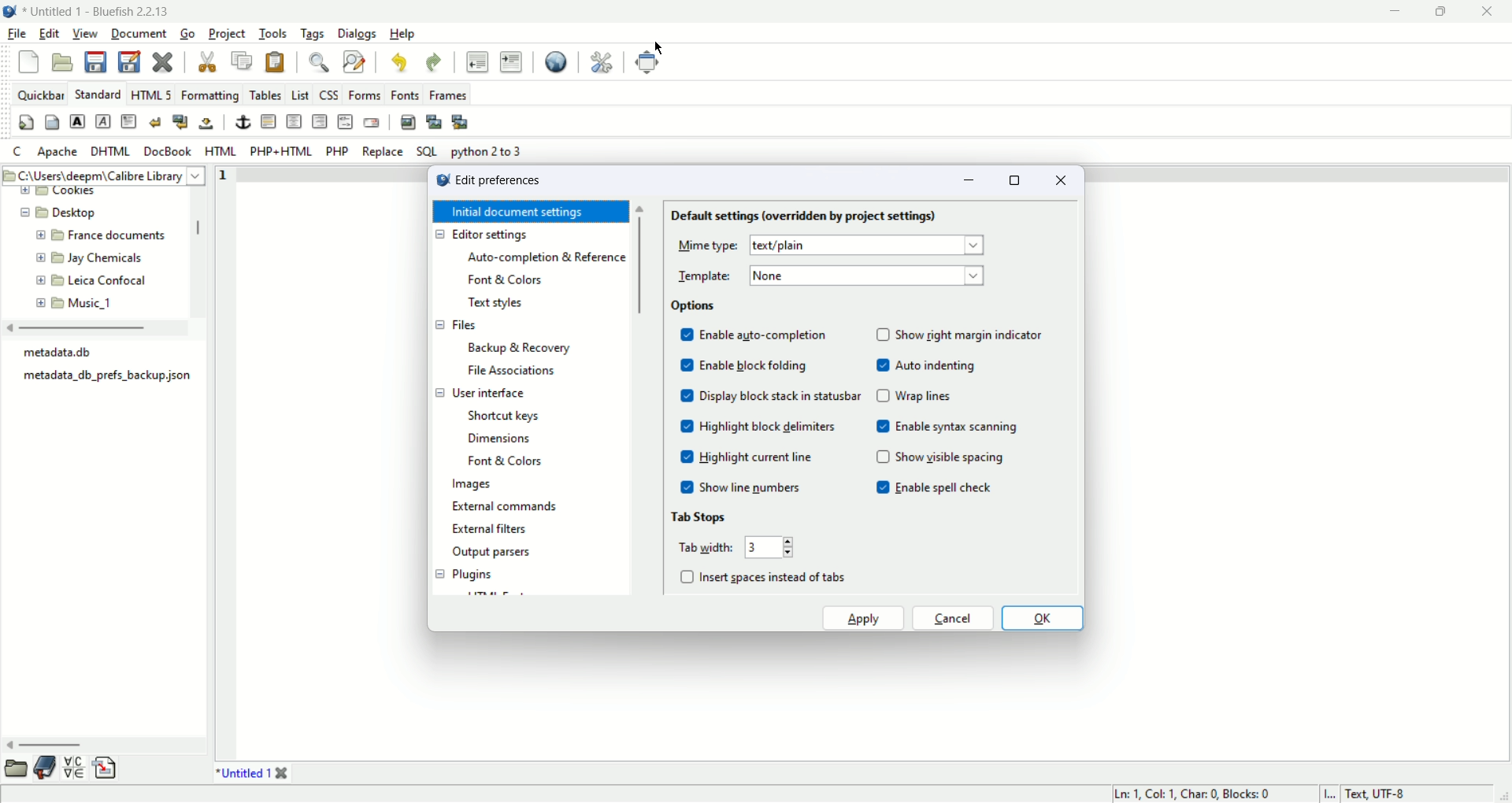 Image resolution: width=1512 pixels, height=803 pixels. What do you see at coordinates (498, 440) in the screenshot?
I see `dimensions` at bounding box center [498, 440].